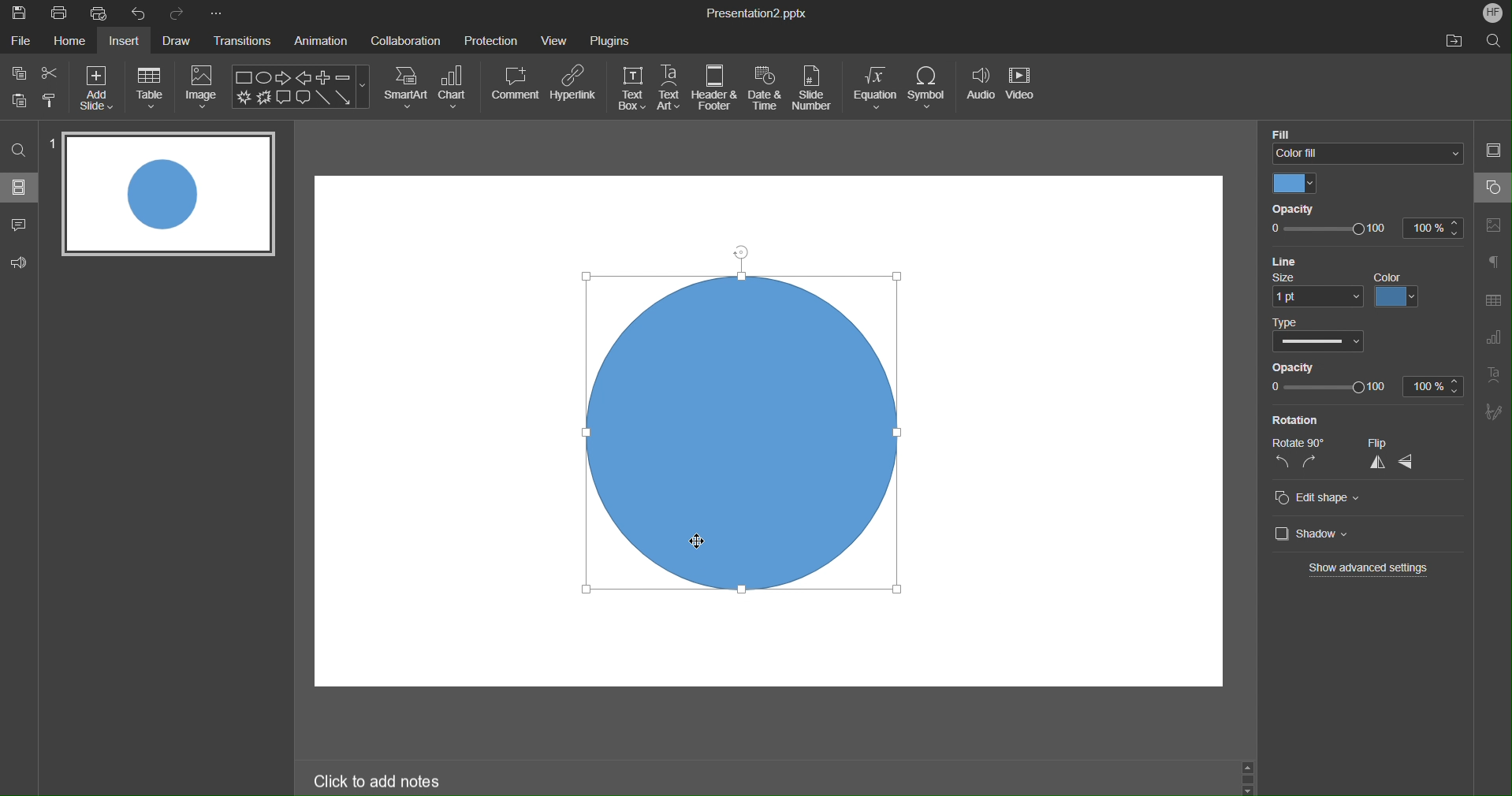 The height and width of the screenshot is (796, 1512). Describe the element at coordinates (180, 41) in the screenshot. I see `Draw` at that location.